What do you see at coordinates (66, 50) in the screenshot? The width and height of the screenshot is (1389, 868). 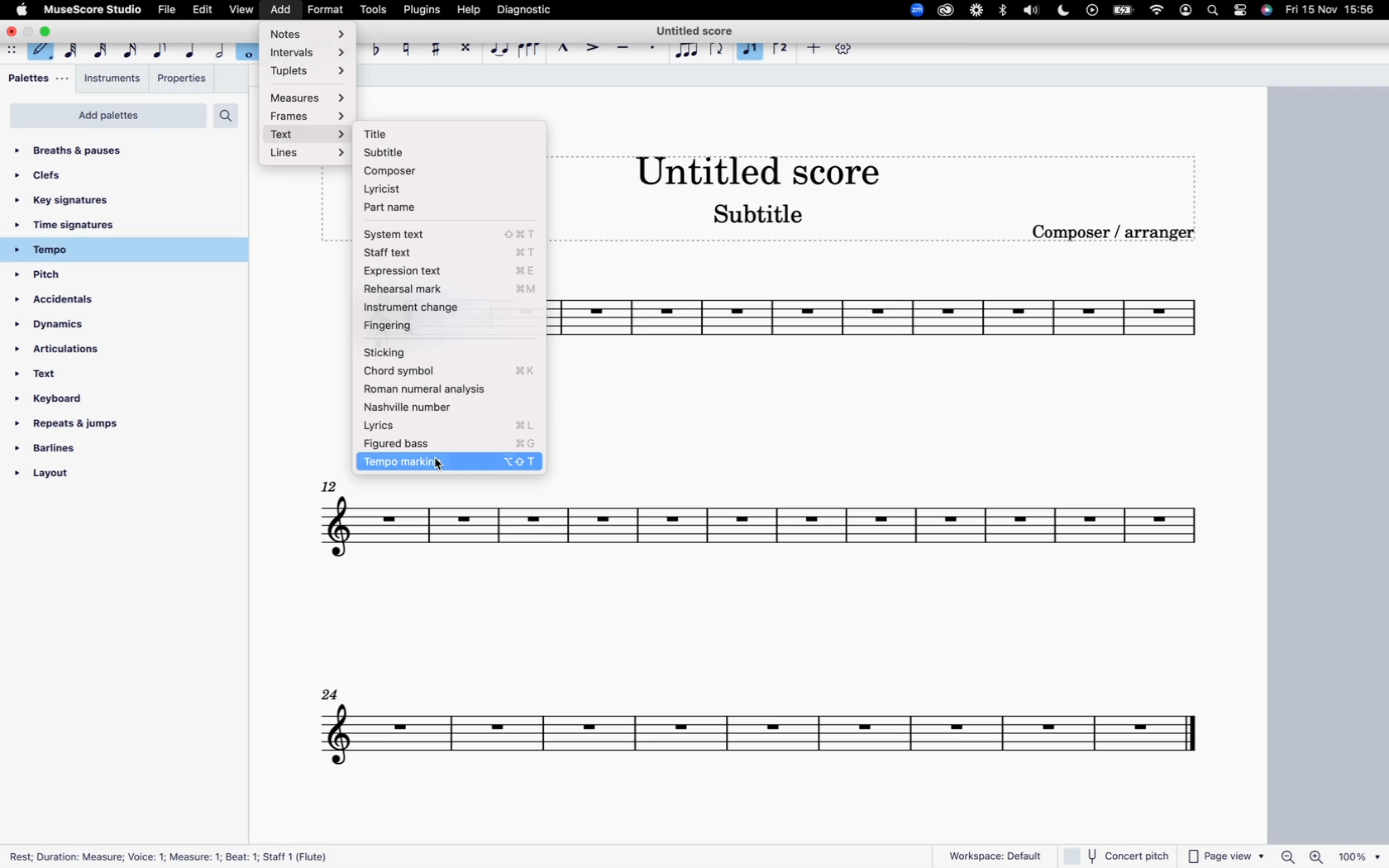 I see `64th note` at bounding box center [66, 50].